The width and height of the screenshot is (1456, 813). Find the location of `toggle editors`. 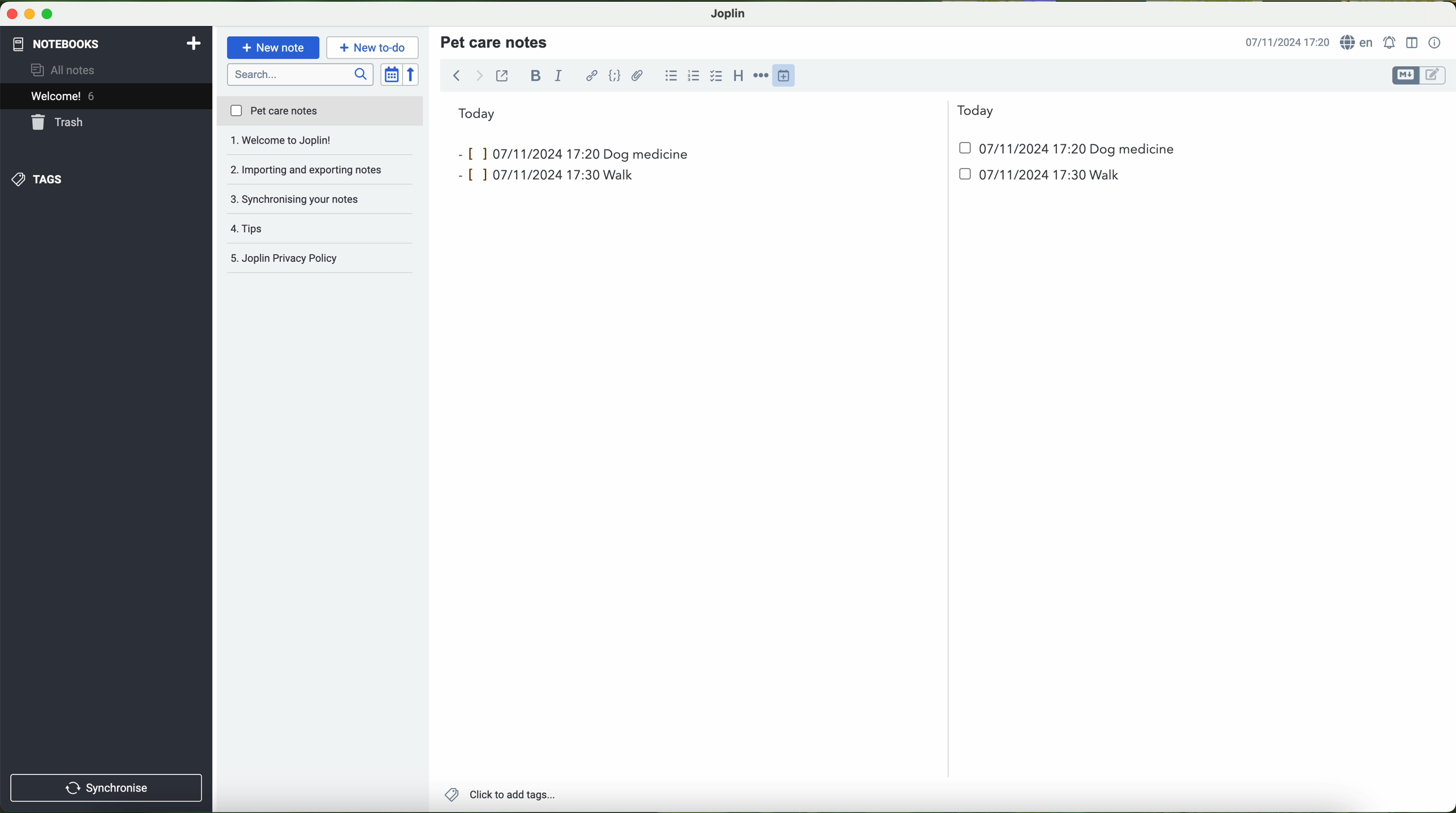

toggle editors is located at coordinates (1418, 76).